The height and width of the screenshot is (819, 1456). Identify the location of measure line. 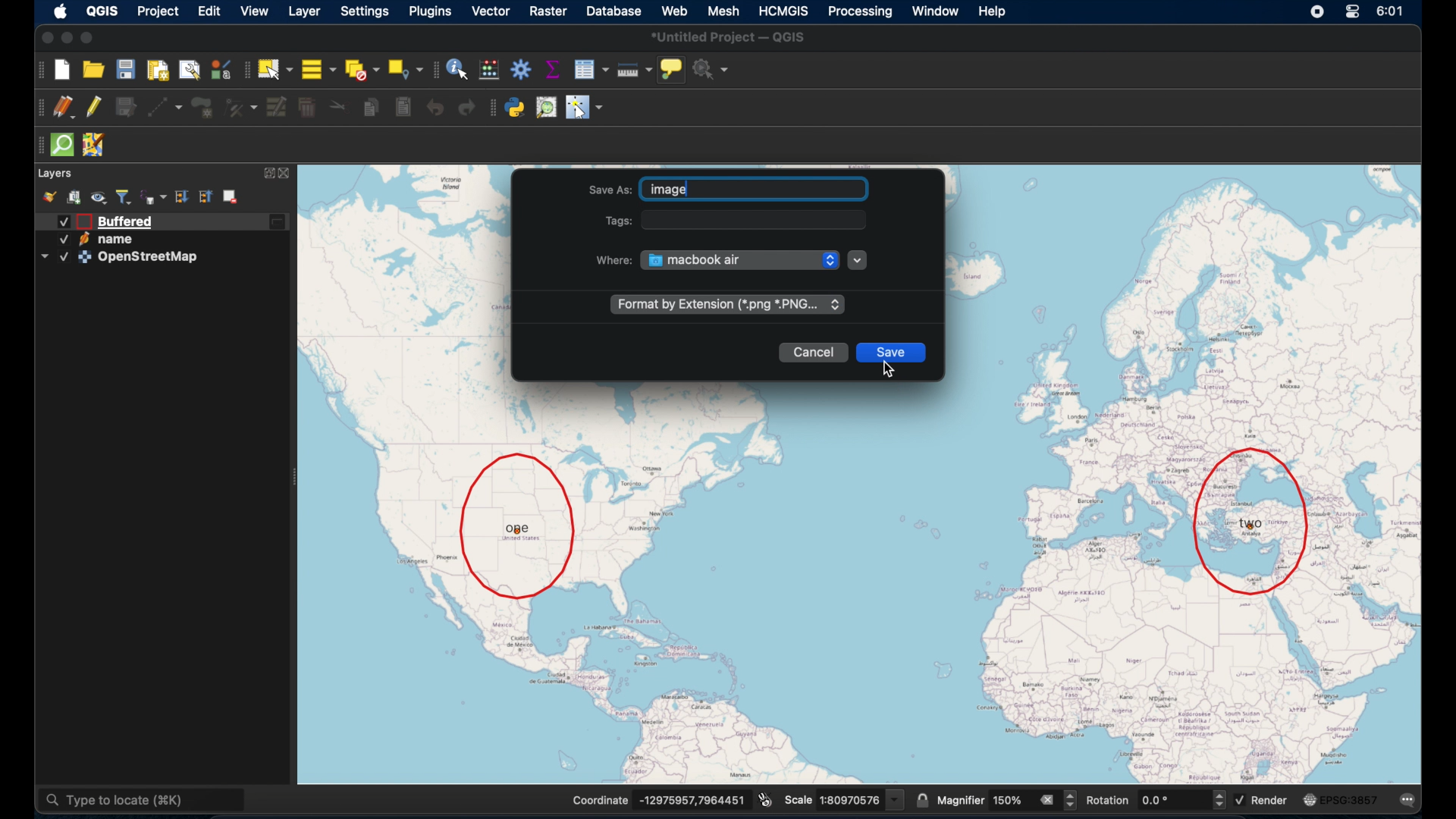
(633, 68).